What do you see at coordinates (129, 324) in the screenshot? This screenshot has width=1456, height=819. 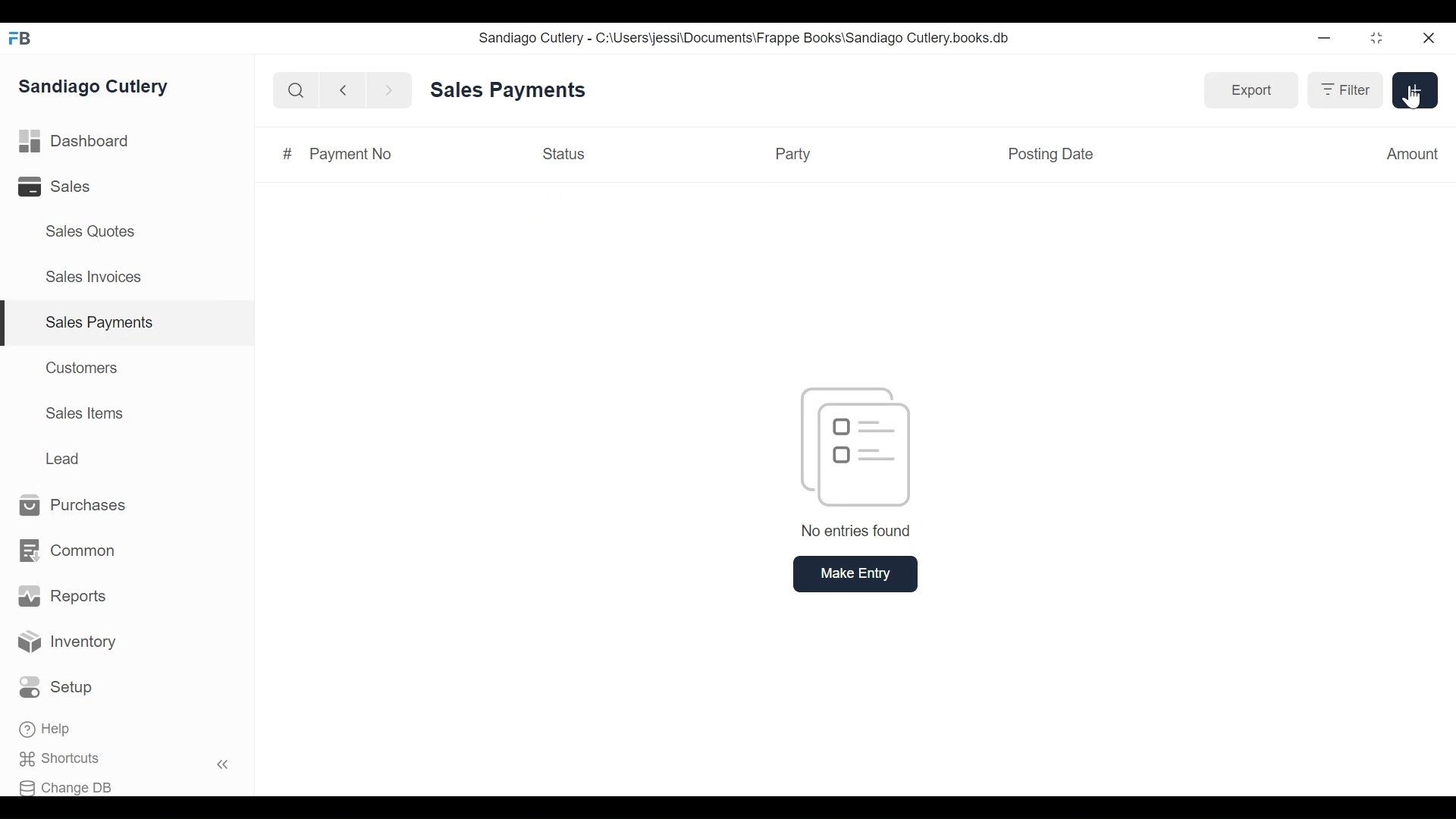 I see `| Sales Payments` at bounding box center [129, 324].